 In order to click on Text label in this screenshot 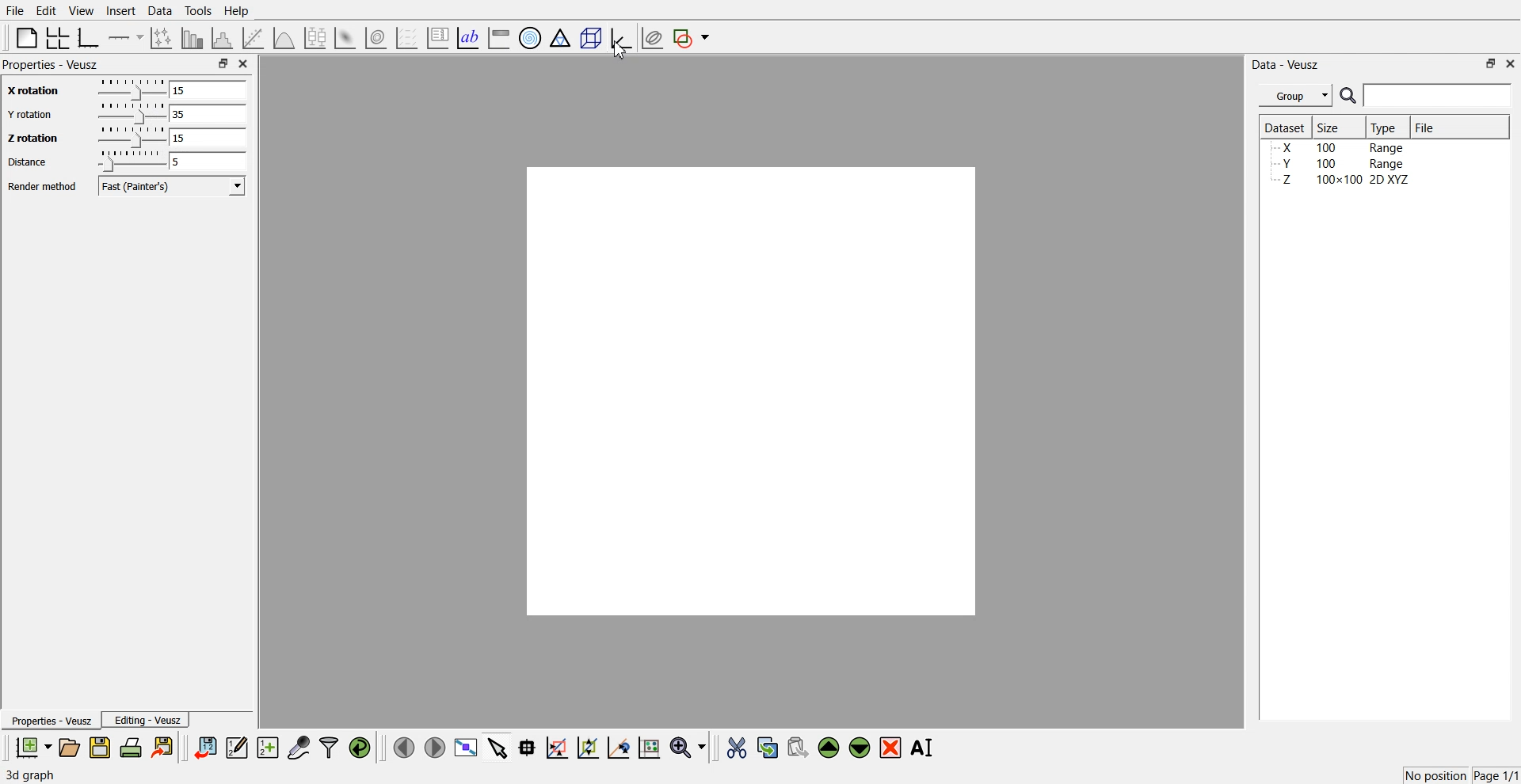, I will do `click(468, 38)`.